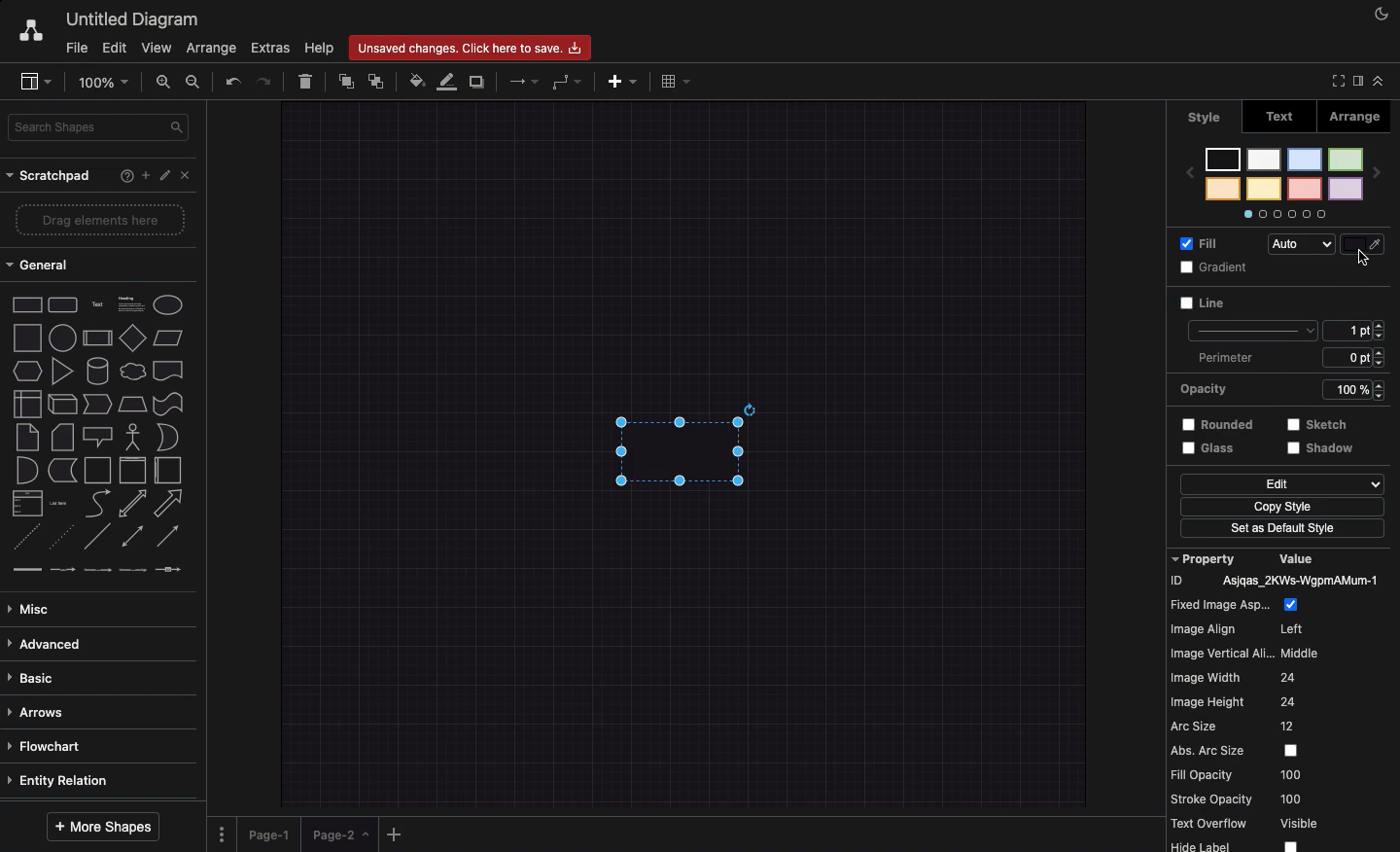 This screenshot has width=1400, height=852. I want to click on Basic, so click(36, 673).